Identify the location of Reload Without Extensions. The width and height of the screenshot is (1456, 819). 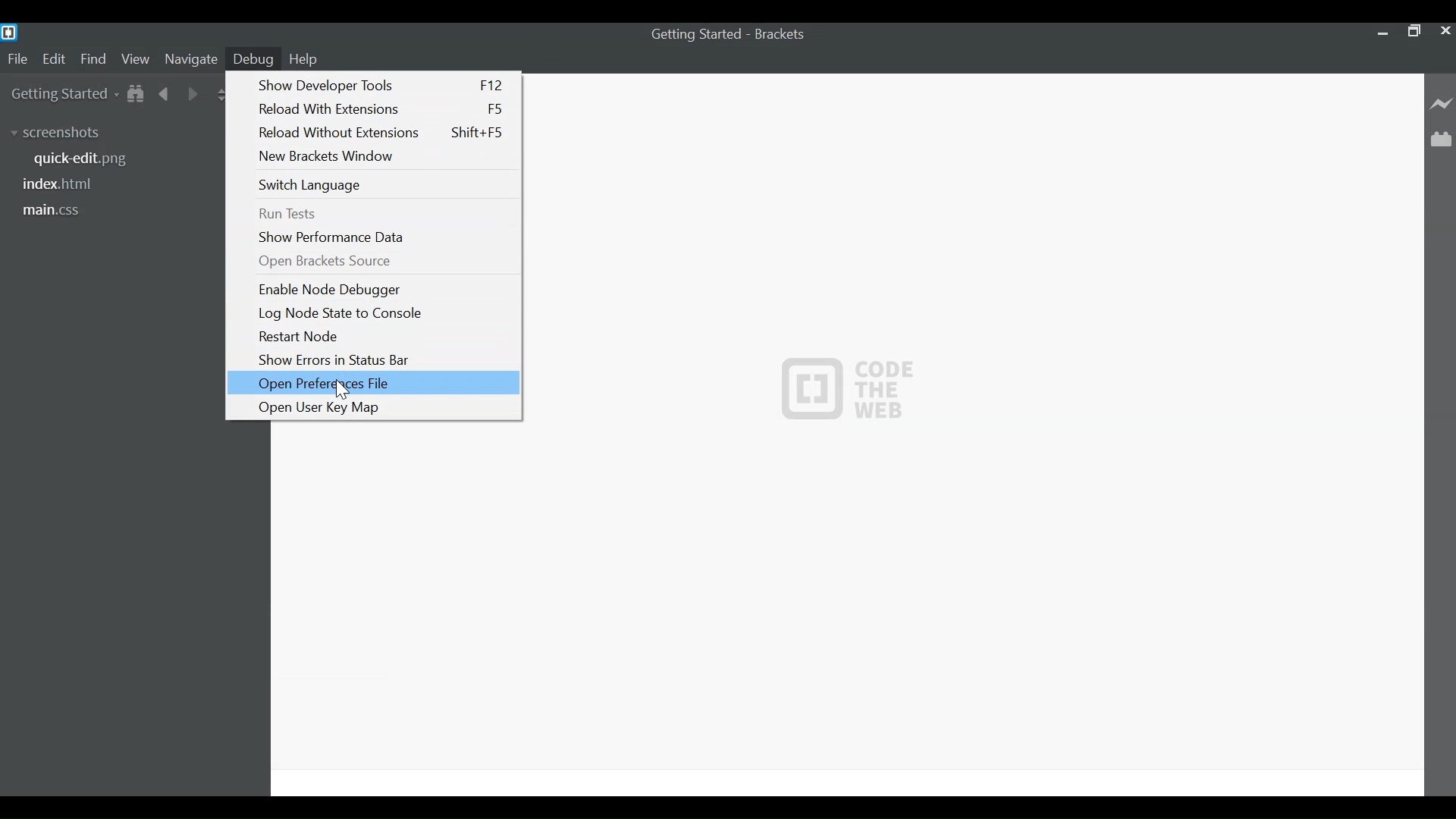
(385, 133).